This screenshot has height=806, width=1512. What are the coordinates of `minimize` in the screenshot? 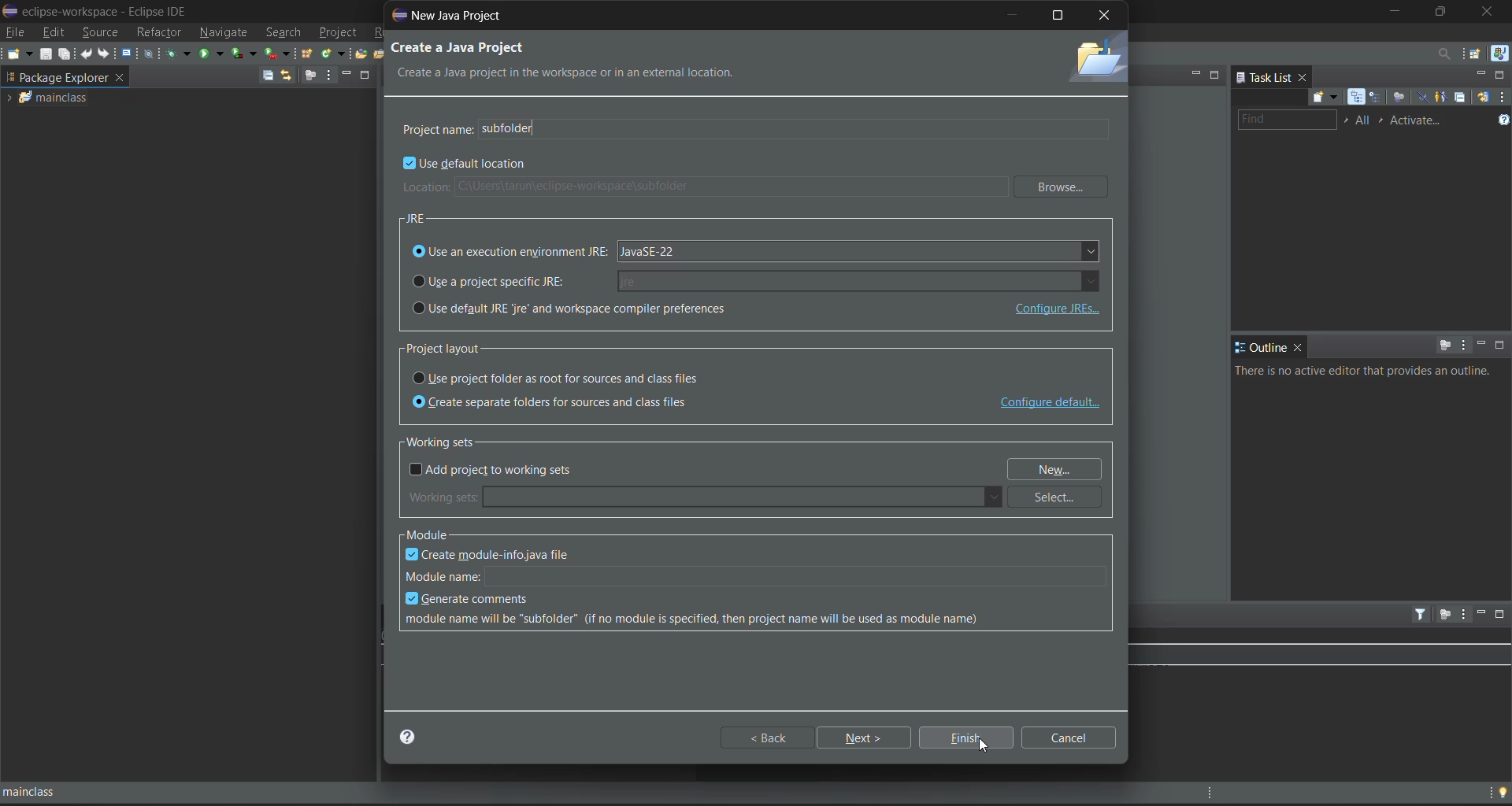 It's located at (1480, 612).